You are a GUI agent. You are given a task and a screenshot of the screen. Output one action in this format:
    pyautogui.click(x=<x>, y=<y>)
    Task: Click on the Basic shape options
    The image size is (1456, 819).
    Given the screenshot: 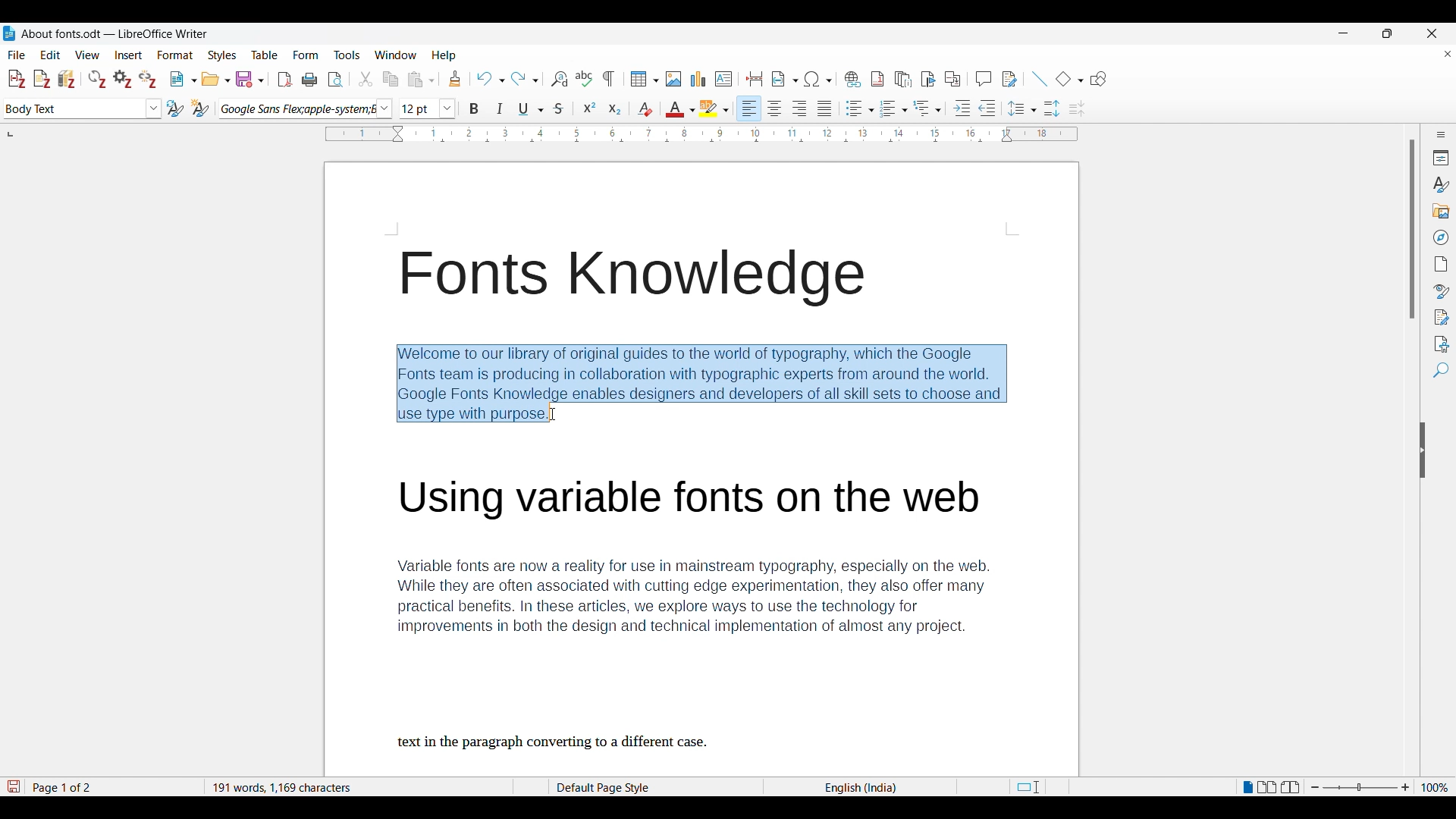 What is the action you would take?
    pyautogui.click(x=1069, y=79)
    